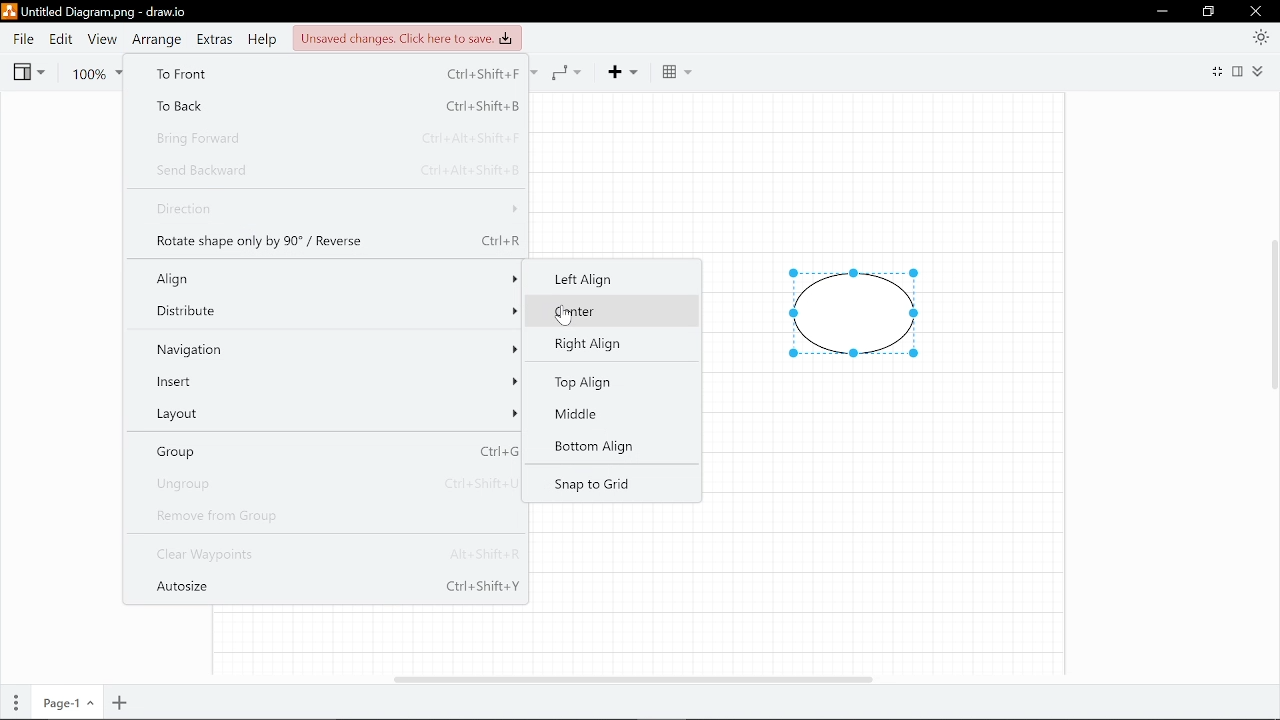 This screenshot has width=1280, height=720. Describe the element at coordinates (97, 71) in the screenshot. I see `Current zoom` at that location.